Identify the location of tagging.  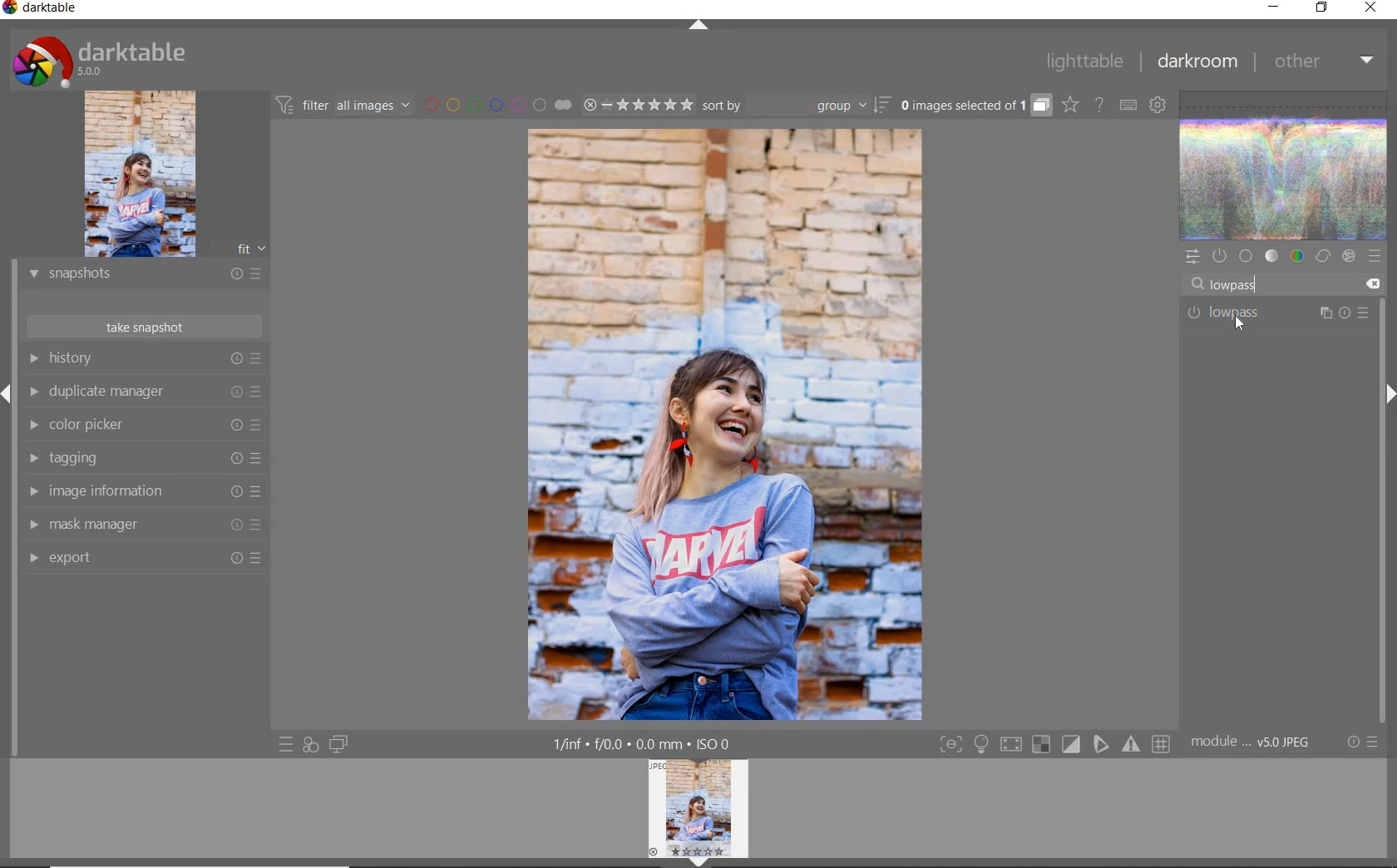
(144, 460).